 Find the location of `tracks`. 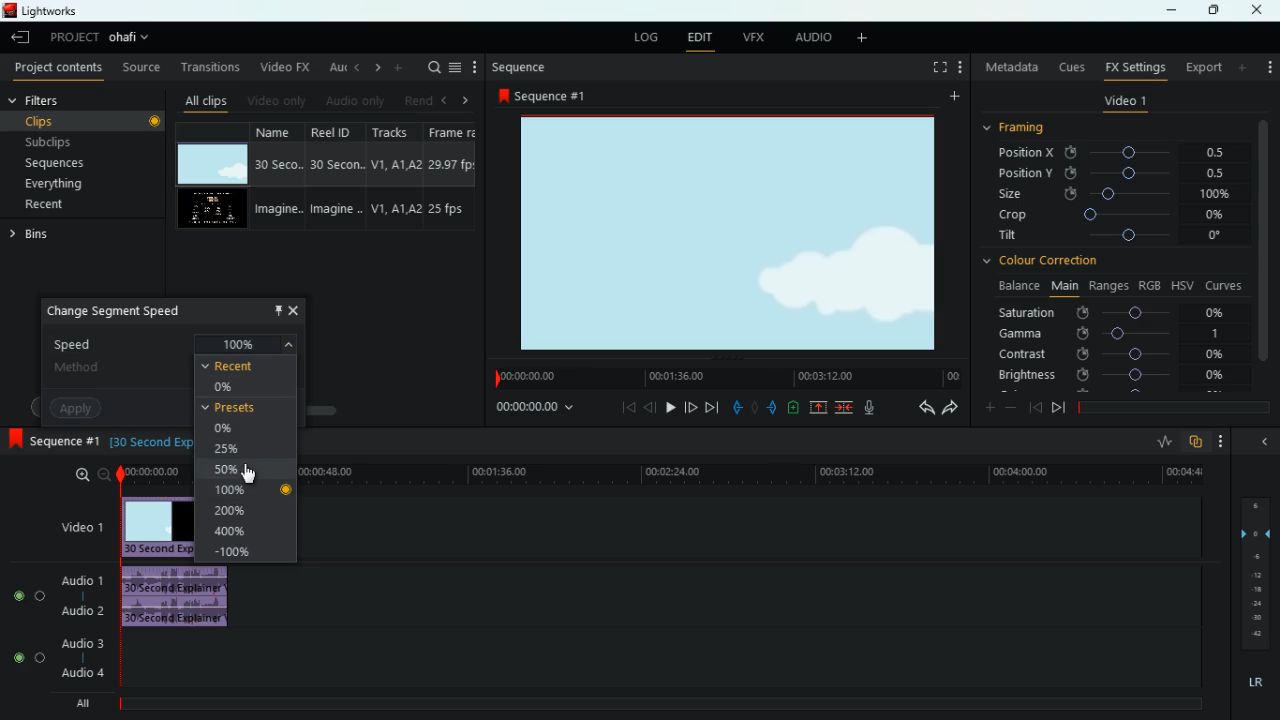

tracks is located at coordinates (390, 177).